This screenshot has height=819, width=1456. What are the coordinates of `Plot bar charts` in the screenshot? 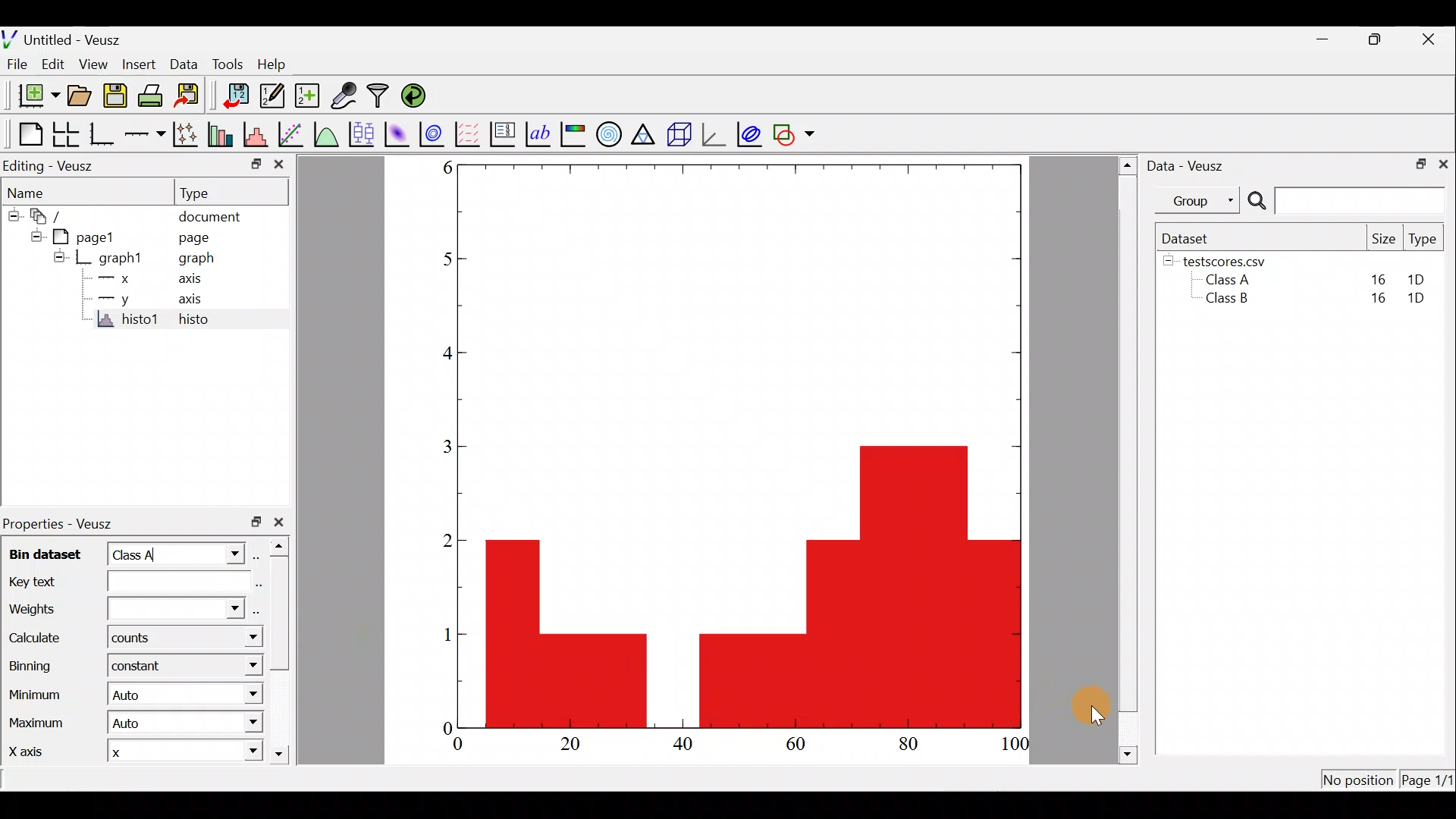 It's located at (222, 134).